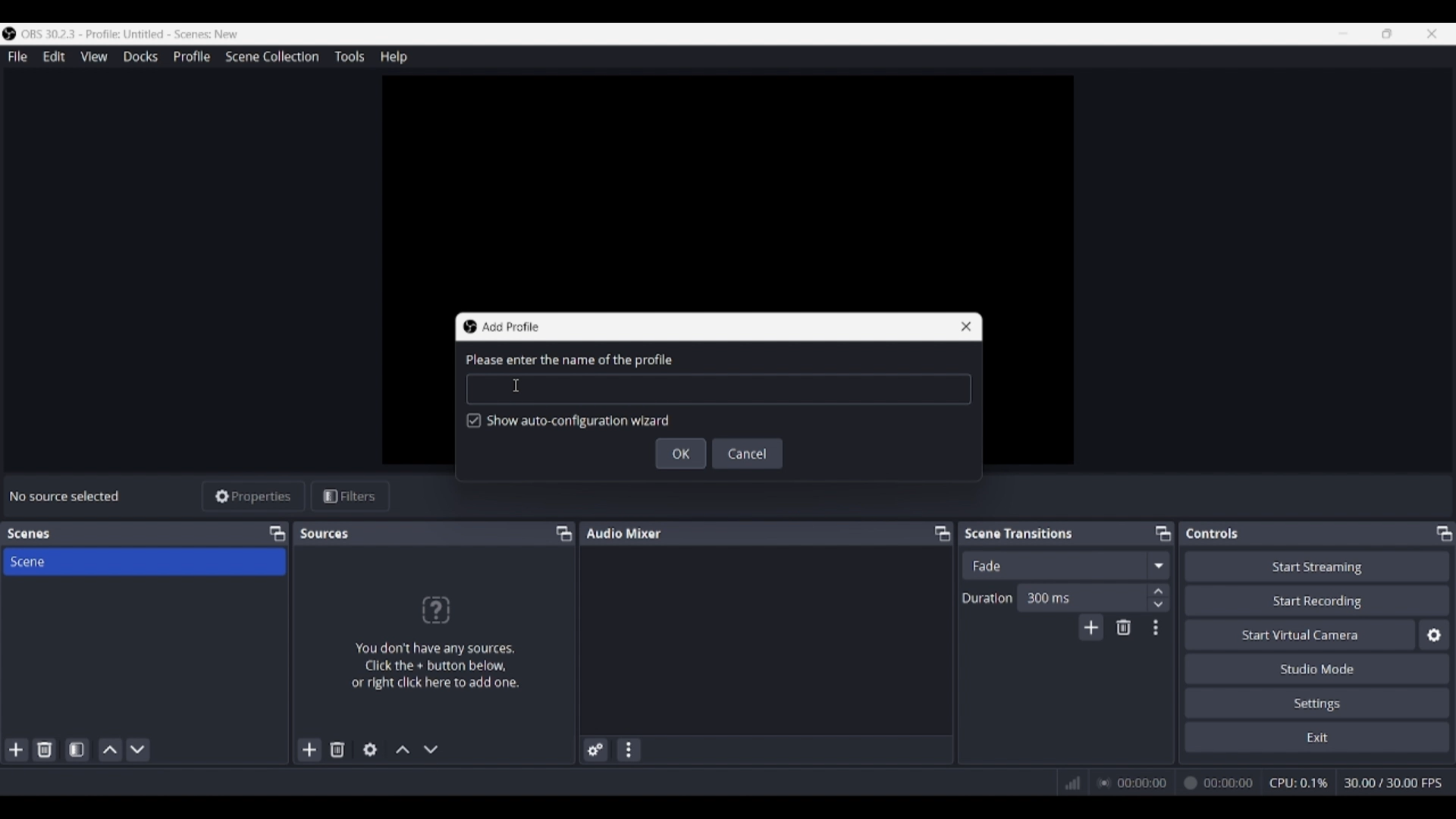 The height and width of the screenshot is (819, 1456). Describe the element at coordinates (394, 57) in the screenshot. I see `Help menu` at that location.